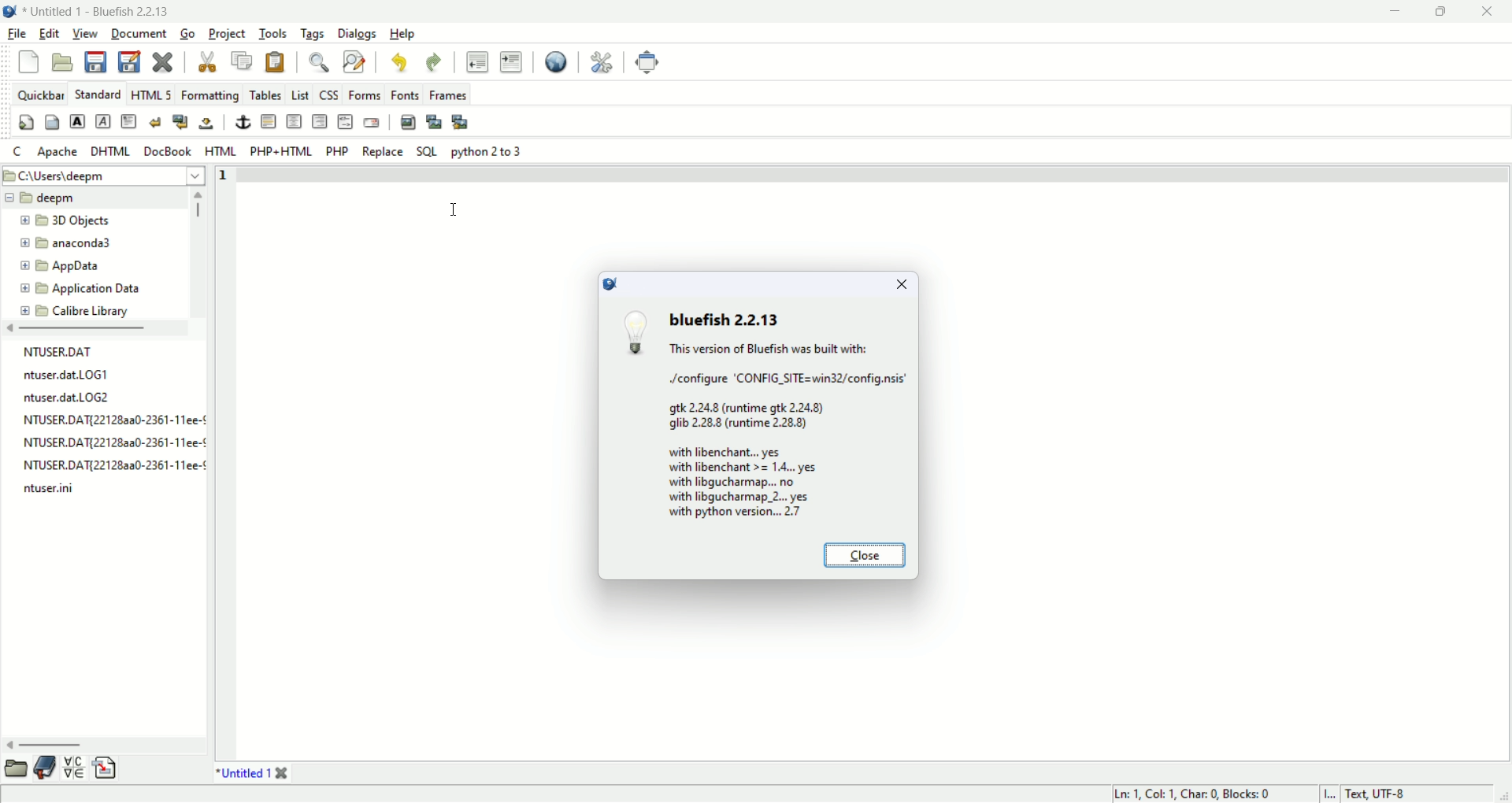  Describe the element at coordinates (1448, 12) in the screenshot. I see `maximize` at that location.